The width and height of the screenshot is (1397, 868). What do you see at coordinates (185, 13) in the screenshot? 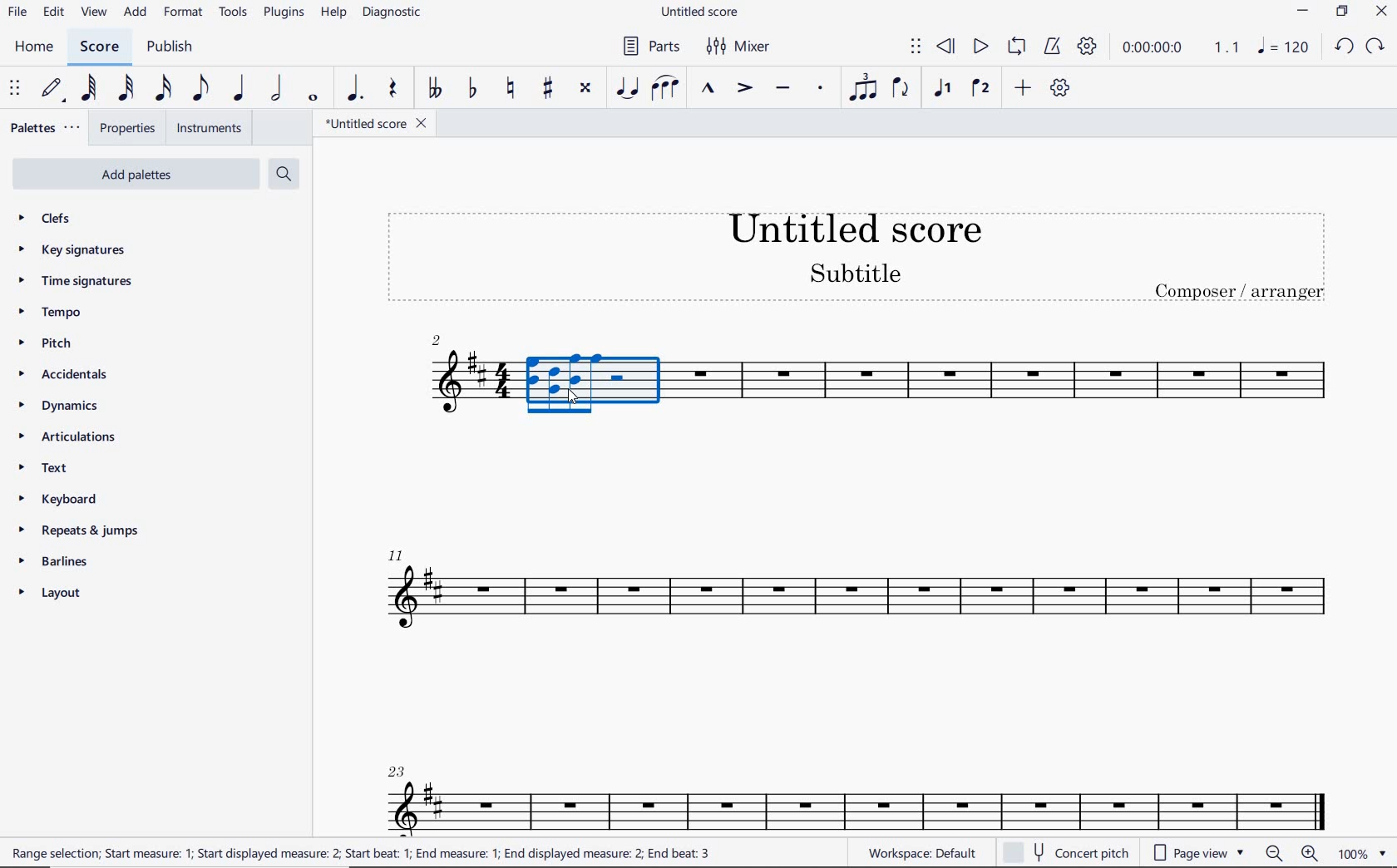
I see `FORMAT` at bounding box center [185, 13].